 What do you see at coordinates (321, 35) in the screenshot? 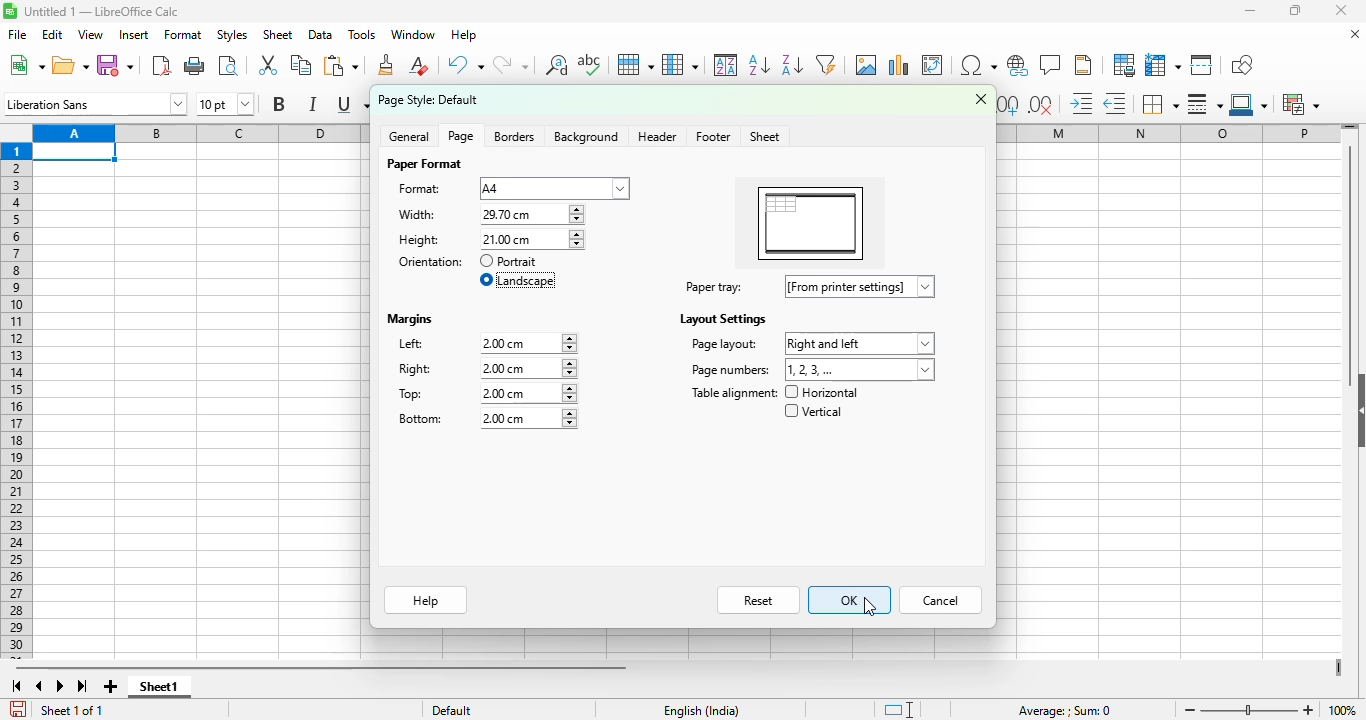
I see `data` at bounding box center [321, 35].